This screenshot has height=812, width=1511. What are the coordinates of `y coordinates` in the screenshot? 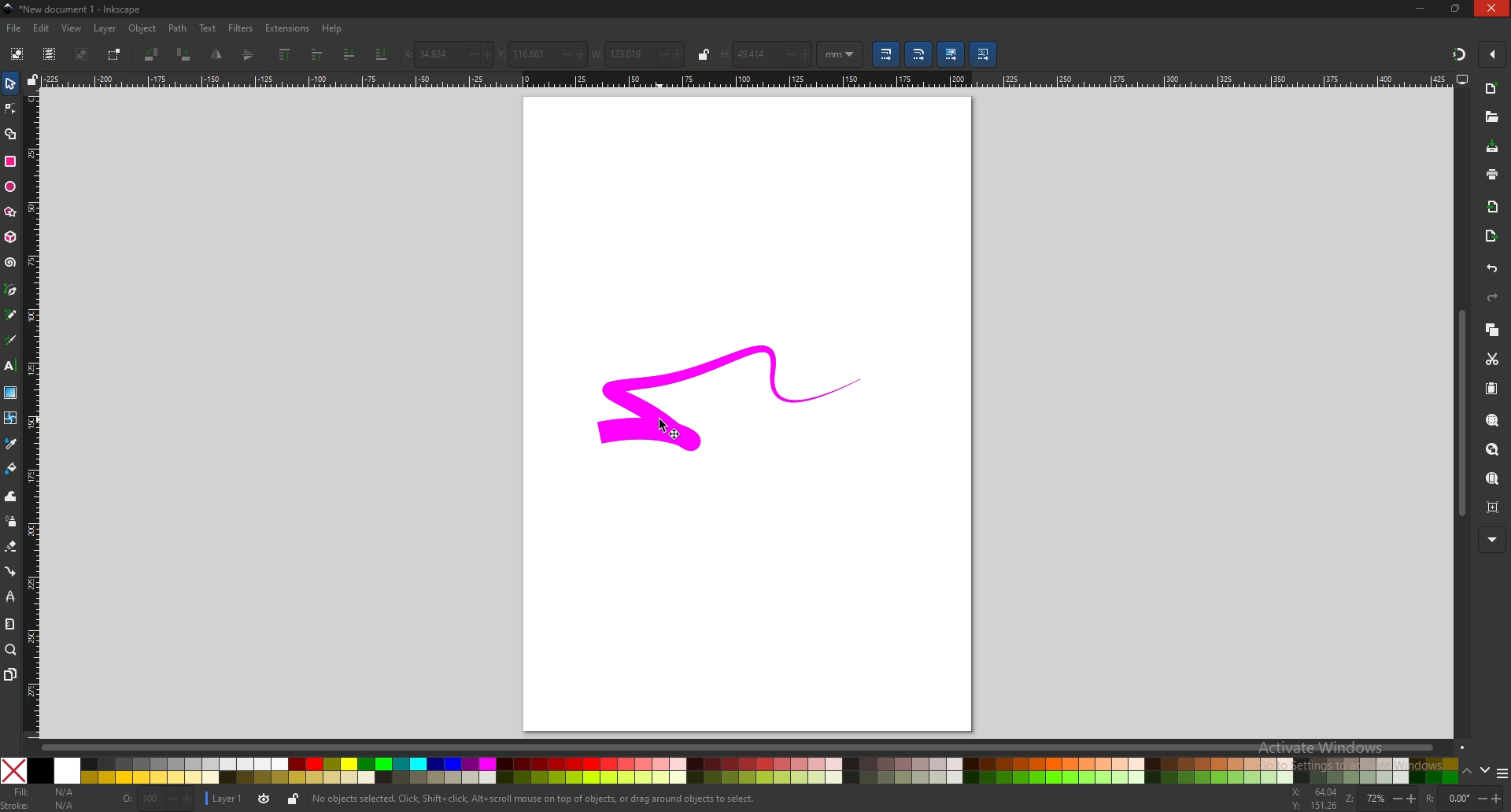 It's located at (542, 53).